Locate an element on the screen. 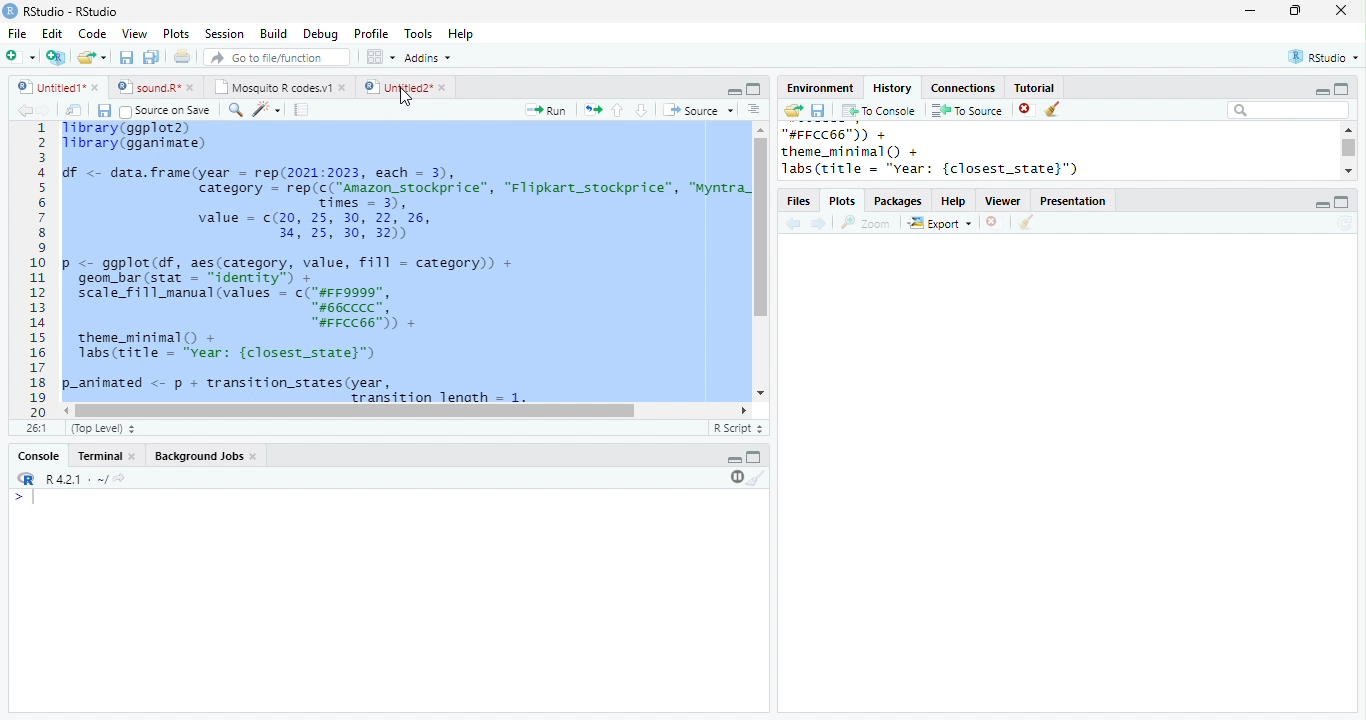 The image size is (1366, 720). (Top Level) is located at coordinates (103, 428).